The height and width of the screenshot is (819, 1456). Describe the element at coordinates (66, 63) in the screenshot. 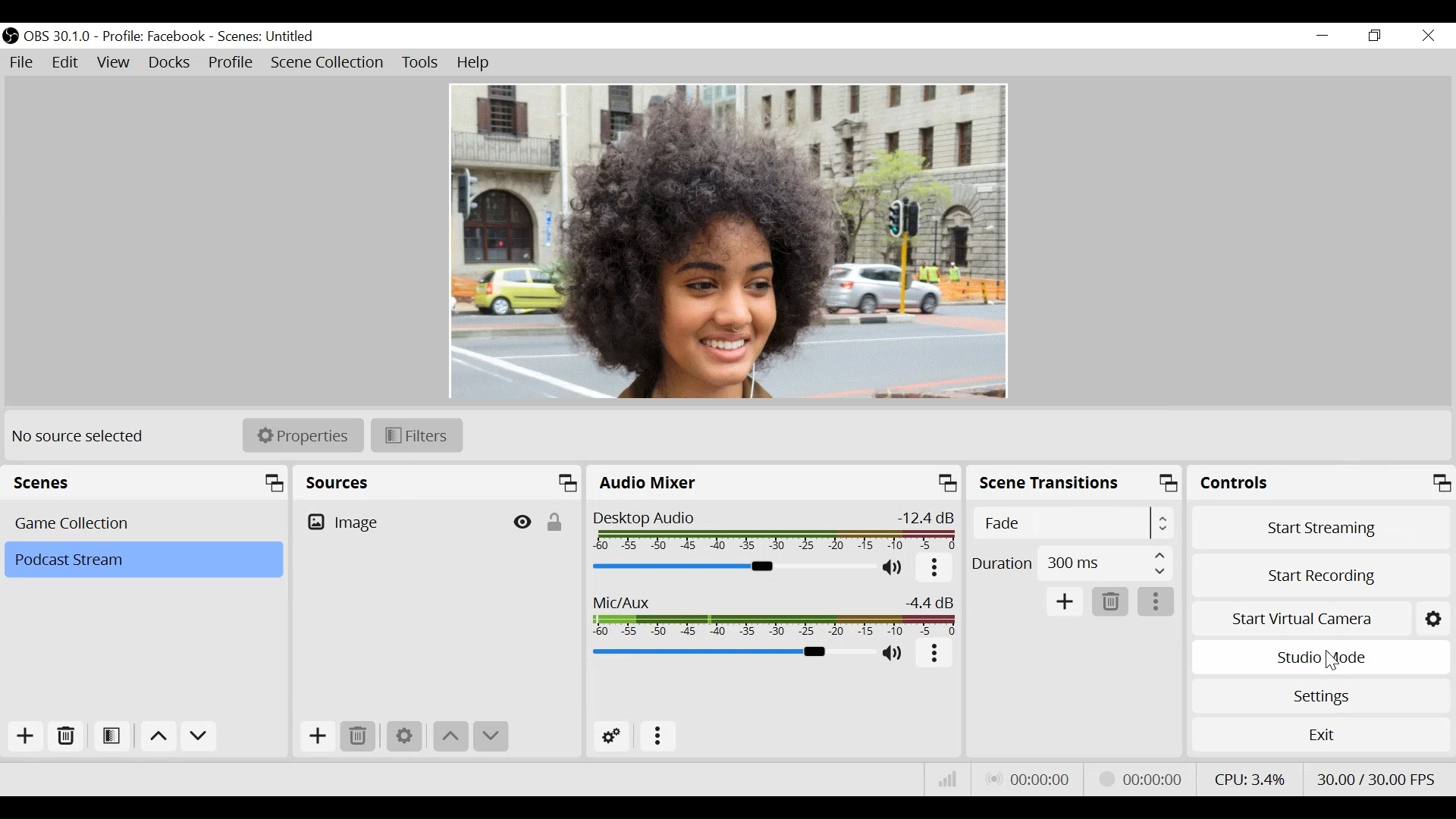

I see `Edit` at that location.